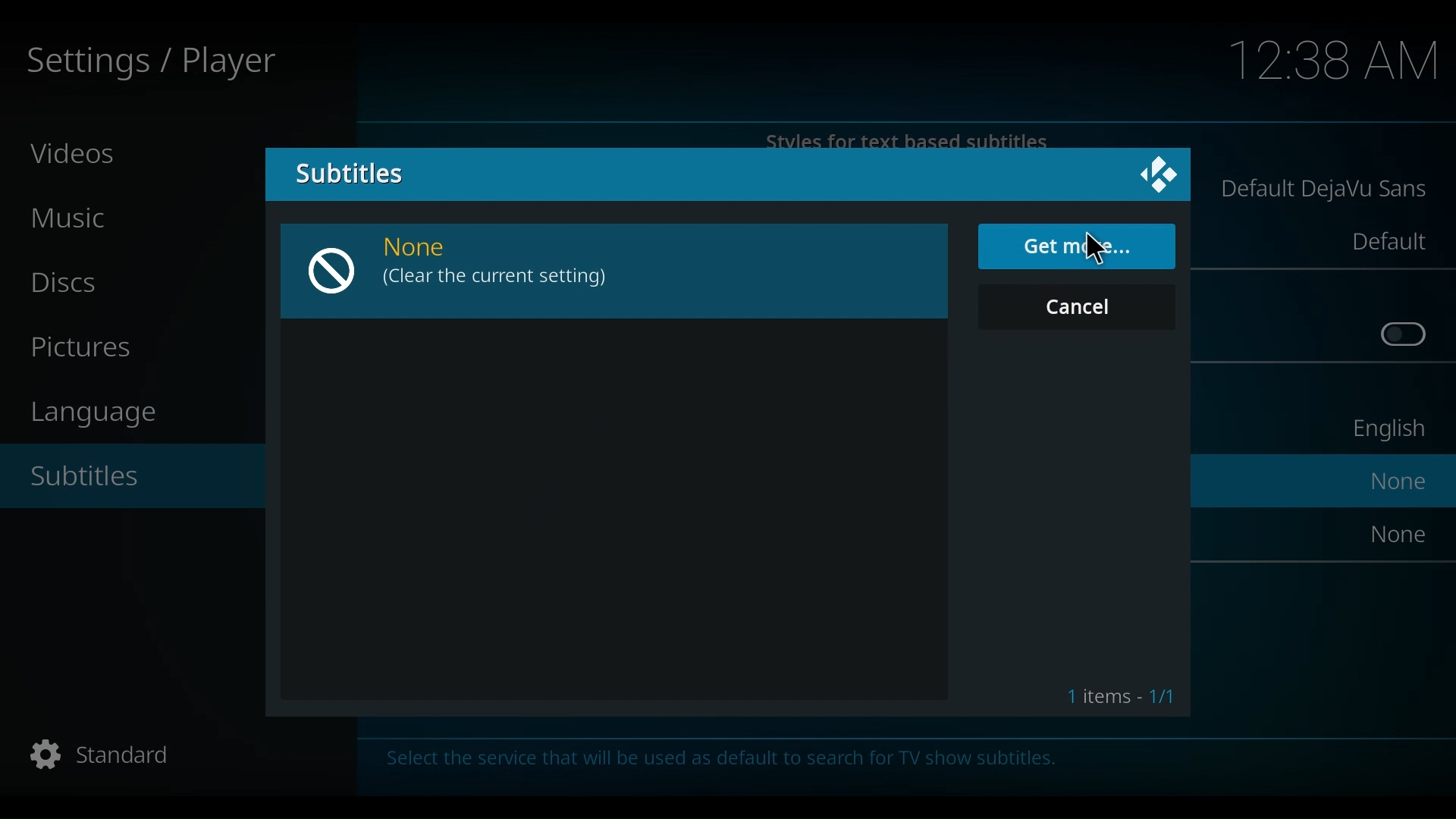 The height and width of the screenshot is (819, 1456). What do you see at coordinates (1080, 306) in the screenshot?
I see `Cancel` at bounding box center [1080, 306].